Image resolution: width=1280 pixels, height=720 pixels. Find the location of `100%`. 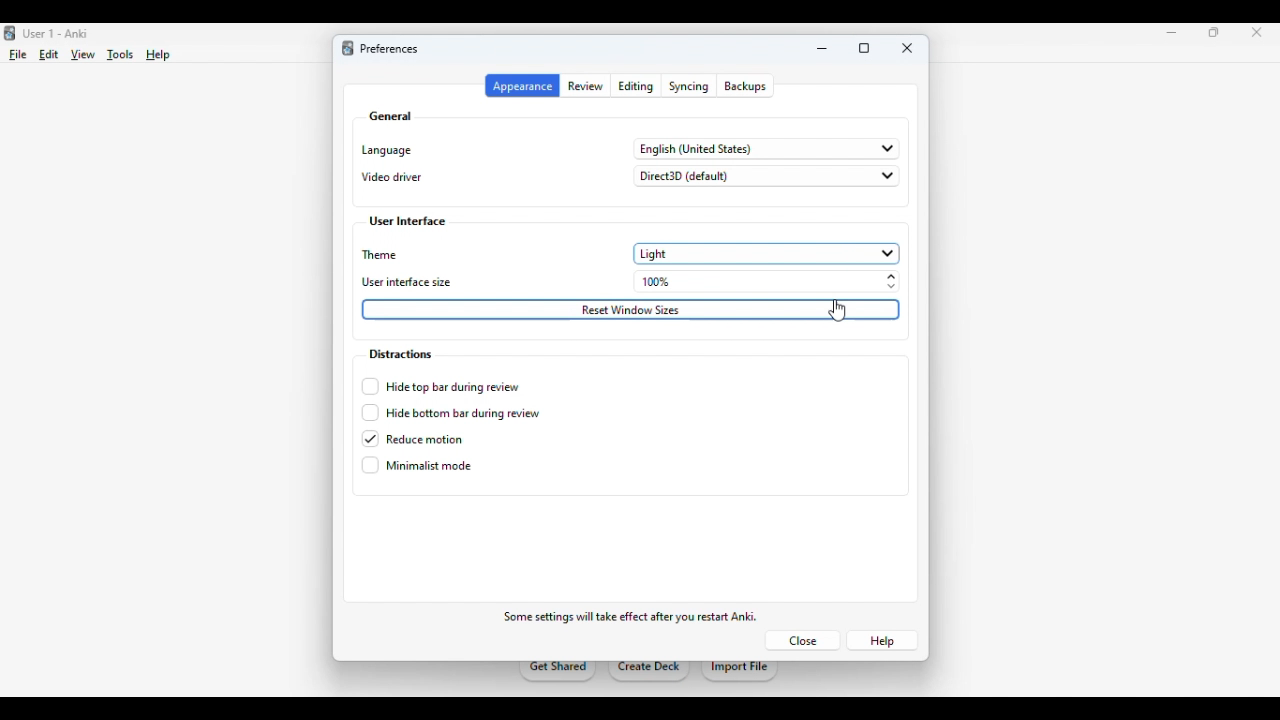

100% is located at coordinates (770, 282).